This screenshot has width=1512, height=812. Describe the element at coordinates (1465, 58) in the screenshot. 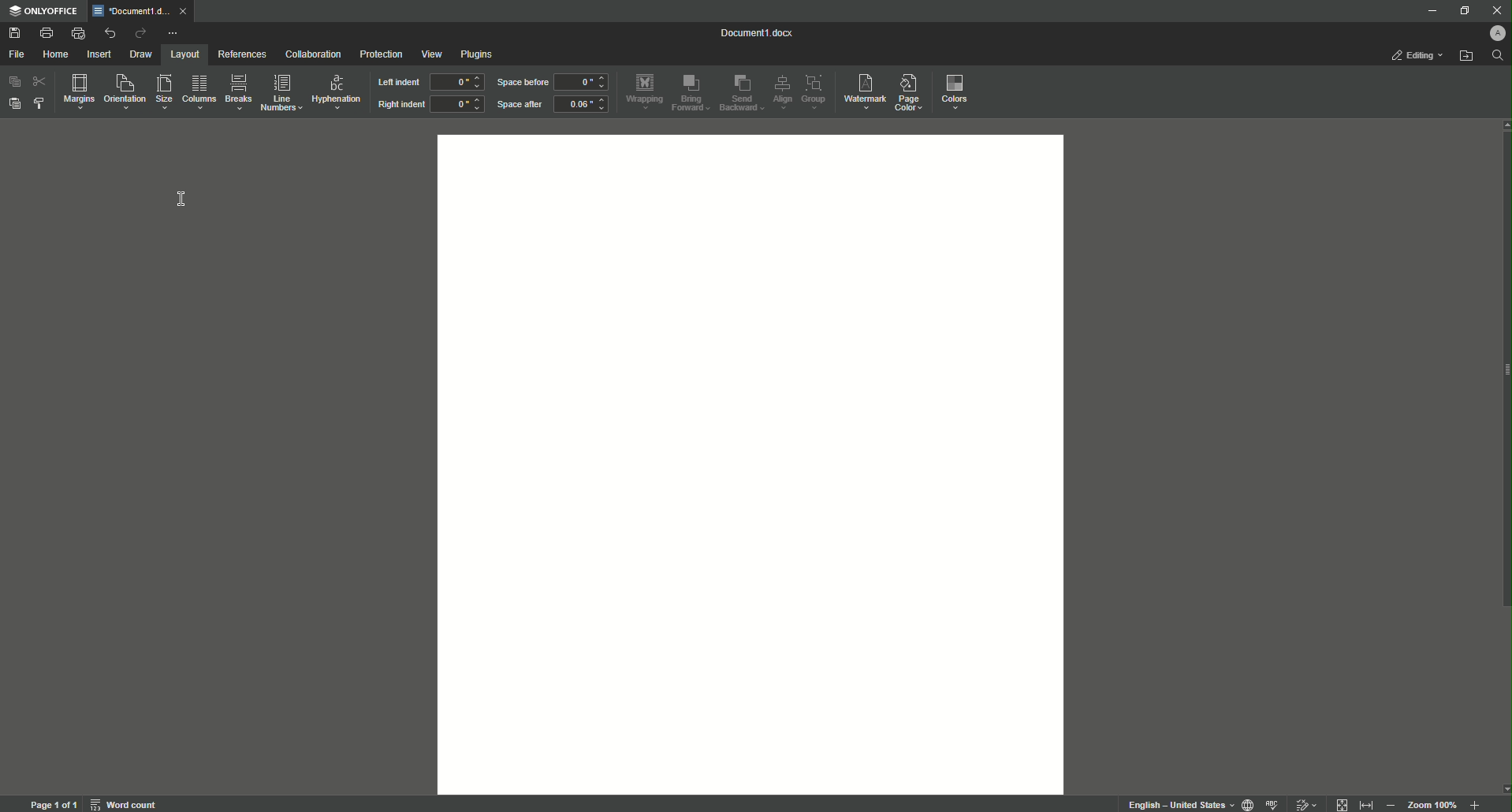

I see `Open File Location` at that location.